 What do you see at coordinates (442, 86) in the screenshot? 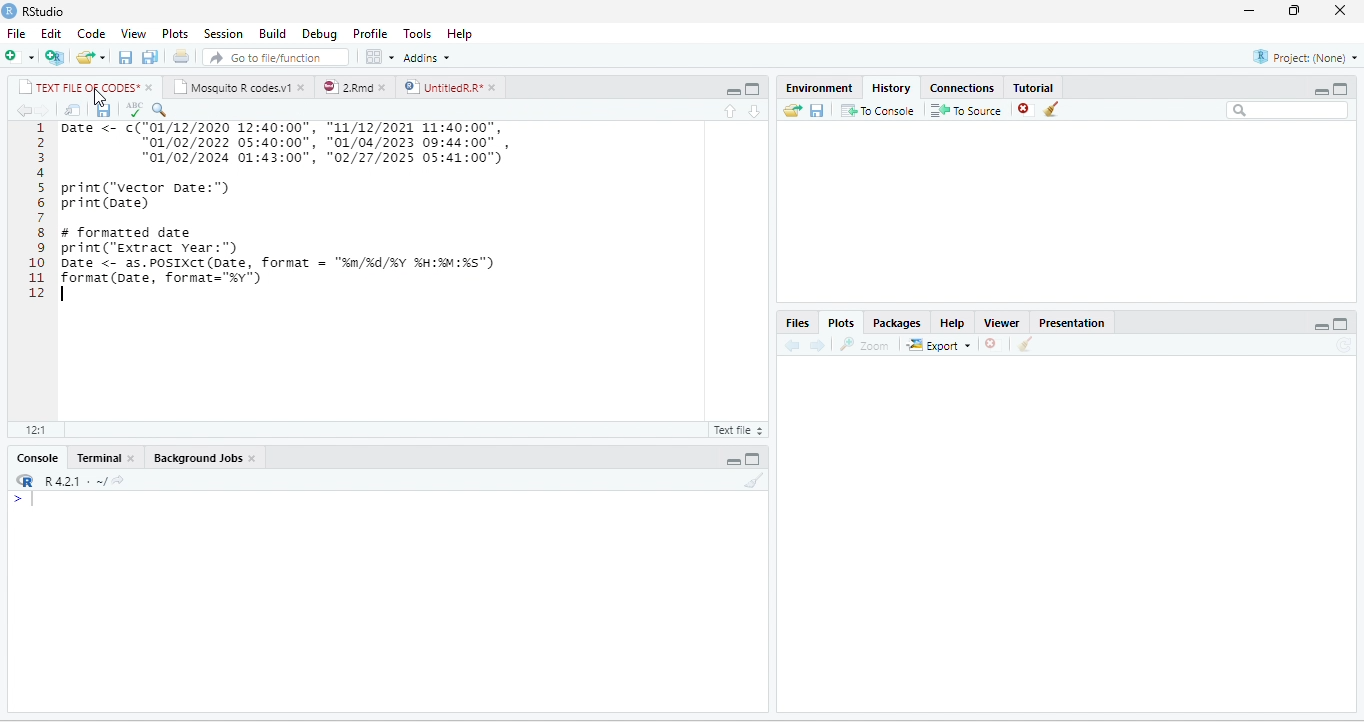
I see `UntitledR.R` at bounding box center [442, 86].